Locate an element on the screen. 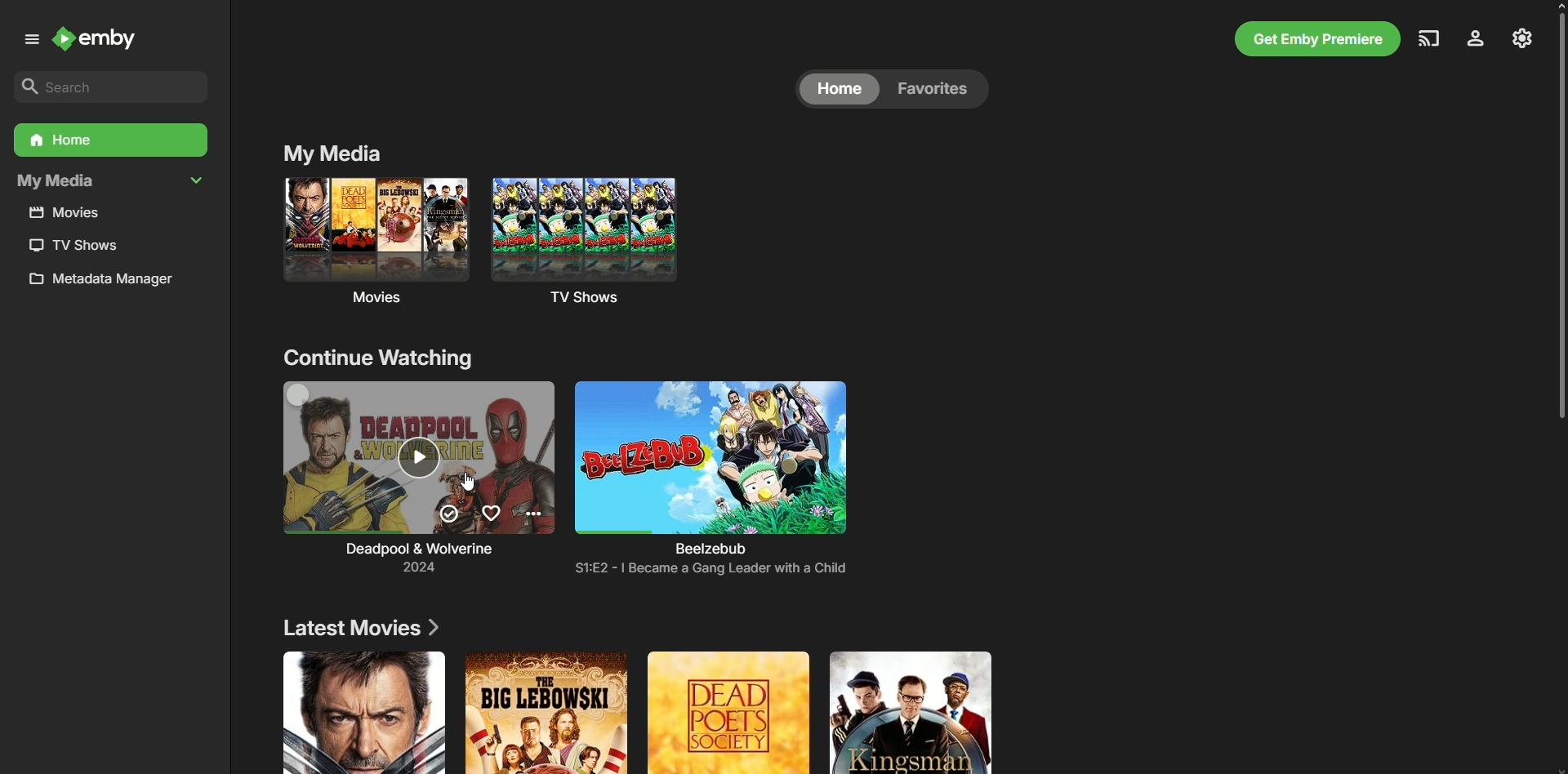 This screenshot has width=1568, height=774. Posters is located at coordinates (626, 713).